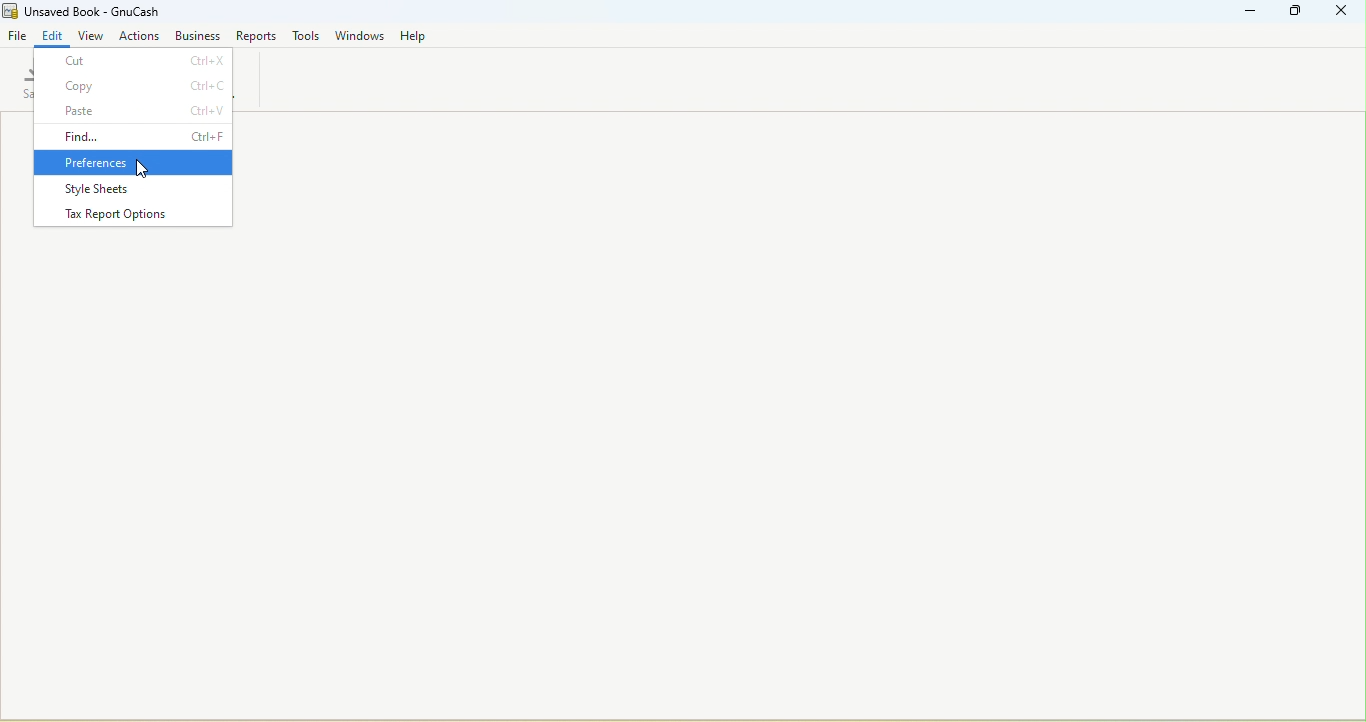  What do you see at coordinates (142, 170) in the screenshot?
I see `cursor` at bounding box center [142, 170].